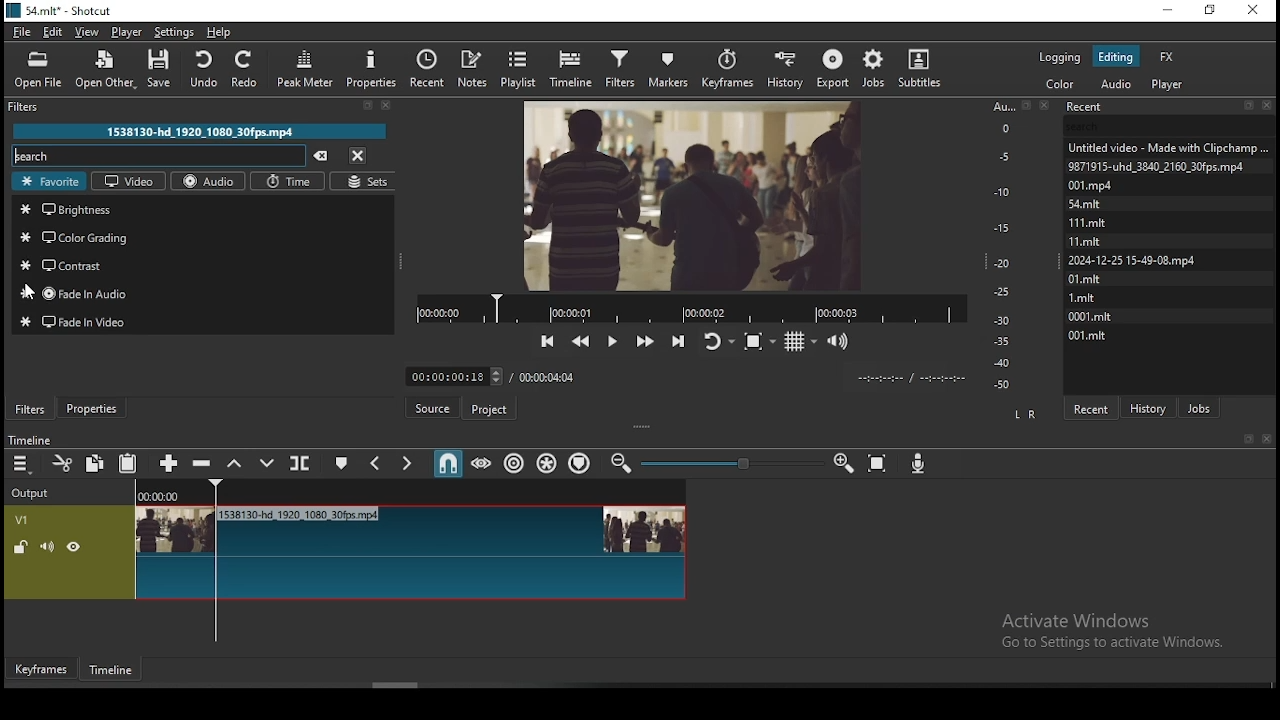 Image resolution: width=1280 pixels, height=720 pixels. Describe the element at coordinates (28, 439) in the screenshot. I see `timeline` at that location.